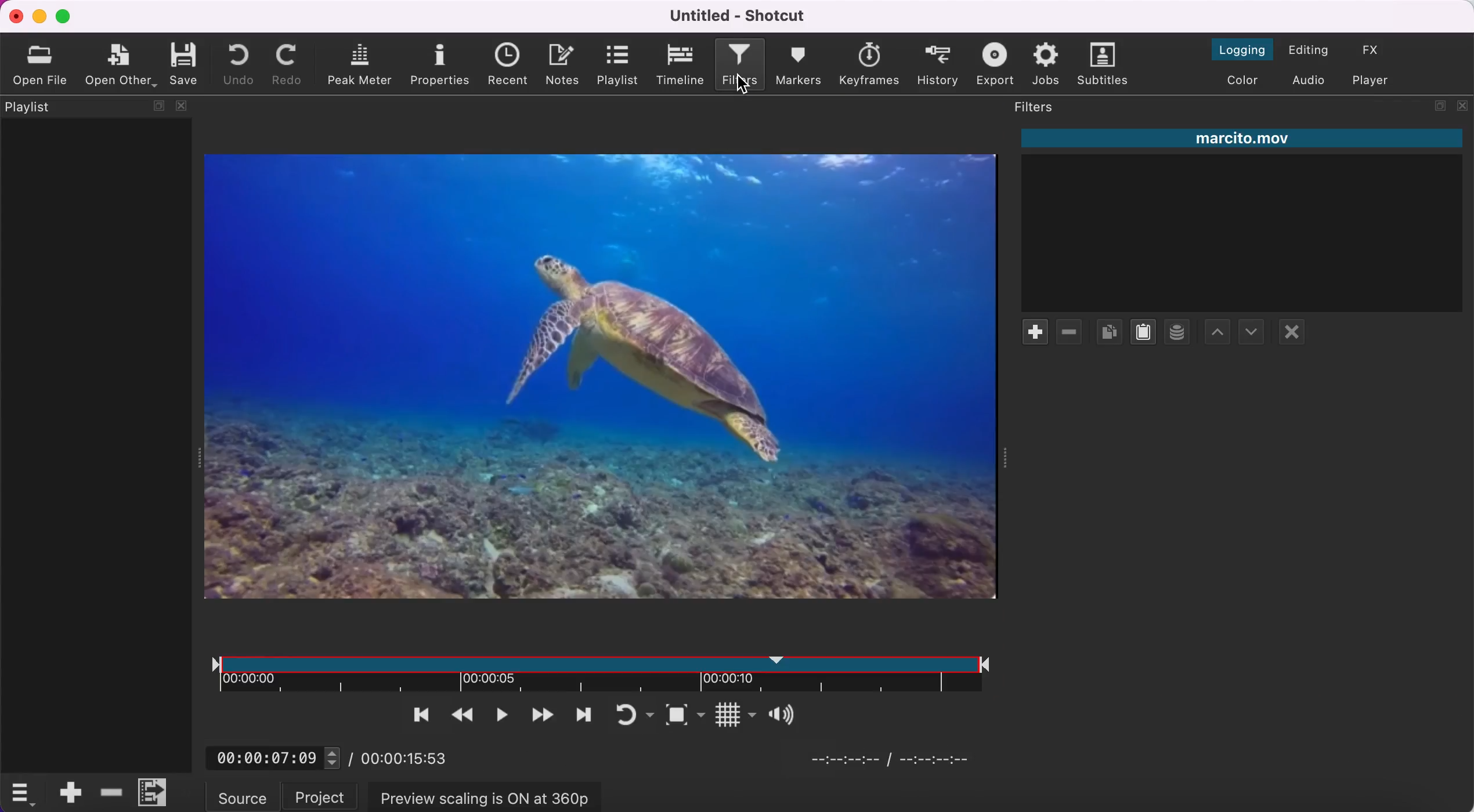  I want to click on project, so click(318, 796).